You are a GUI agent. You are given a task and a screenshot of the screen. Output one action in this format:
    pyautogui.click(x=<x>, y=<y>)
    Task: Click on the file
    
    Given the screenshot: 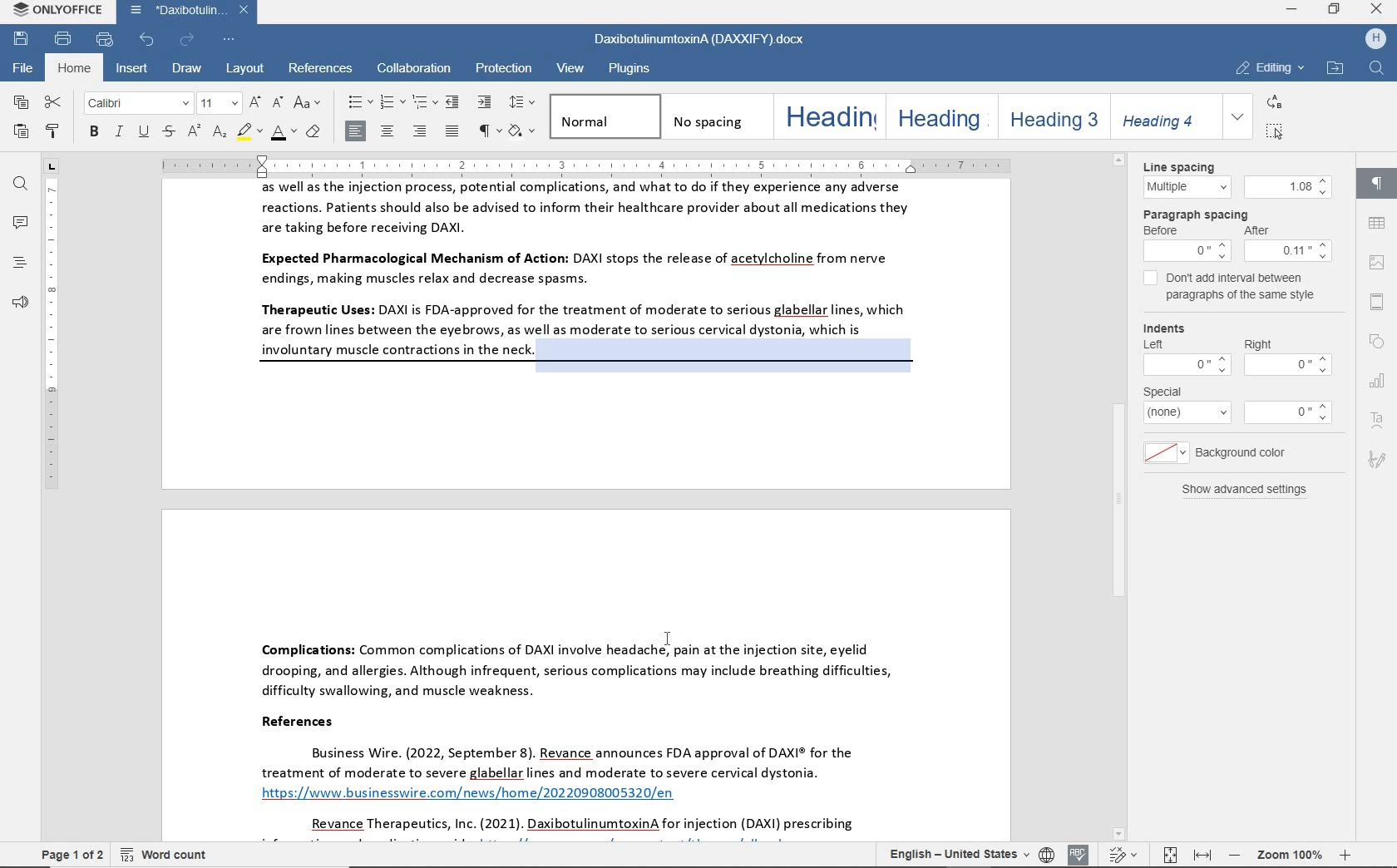 What is the action you would take?
    pyautogui.click(x=24, y=68)
    